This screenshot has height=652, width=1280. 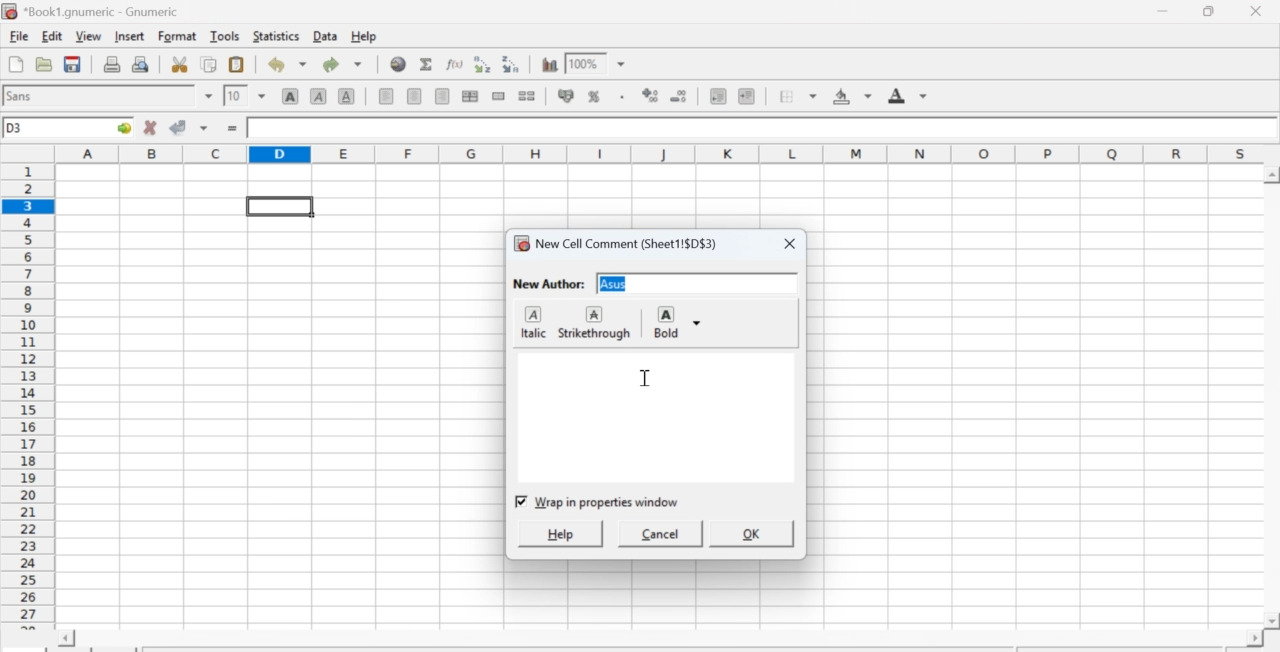 I want to click on Align Left, so click(x=384, y=97).